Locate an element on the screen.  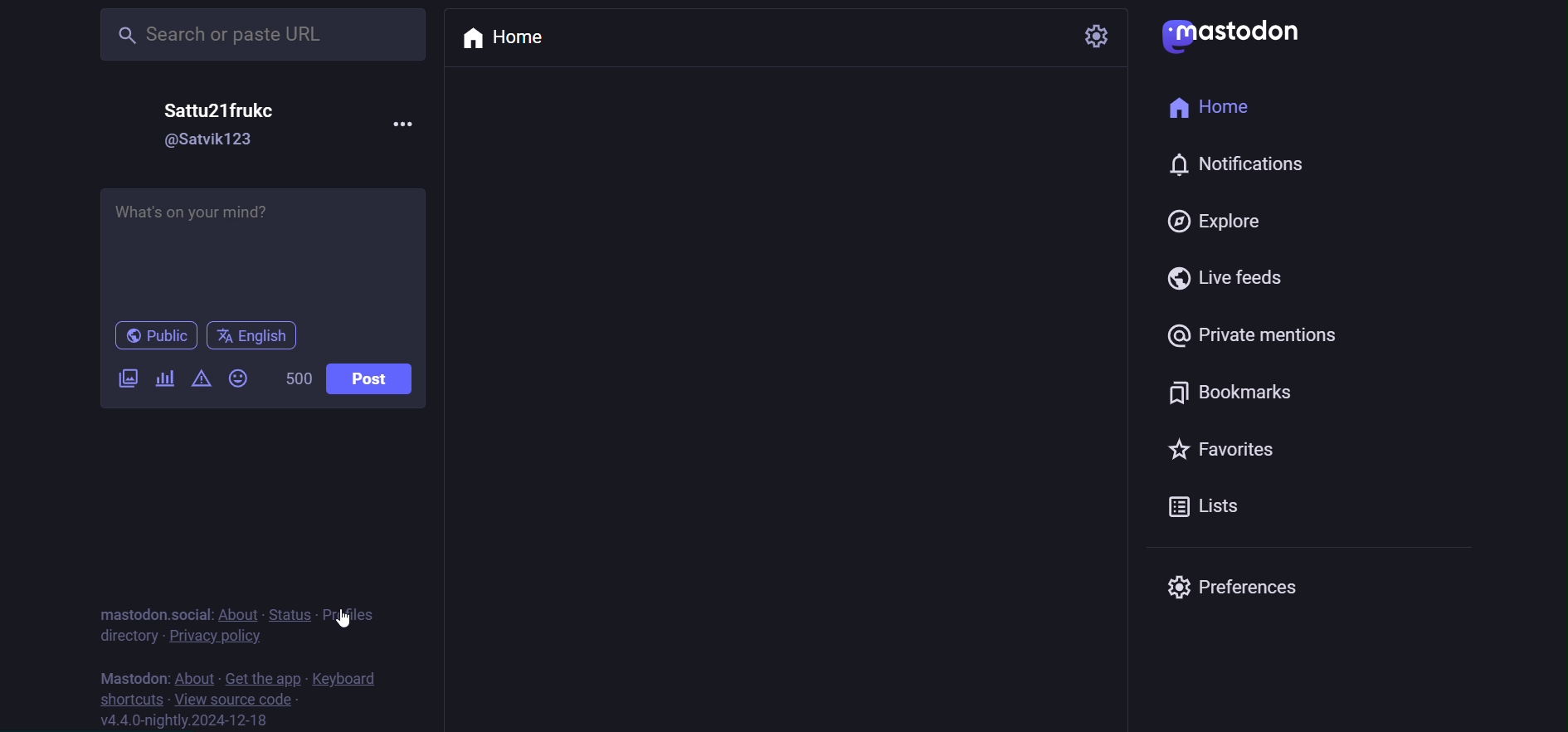
content warning is located at coordinates (200, 376).